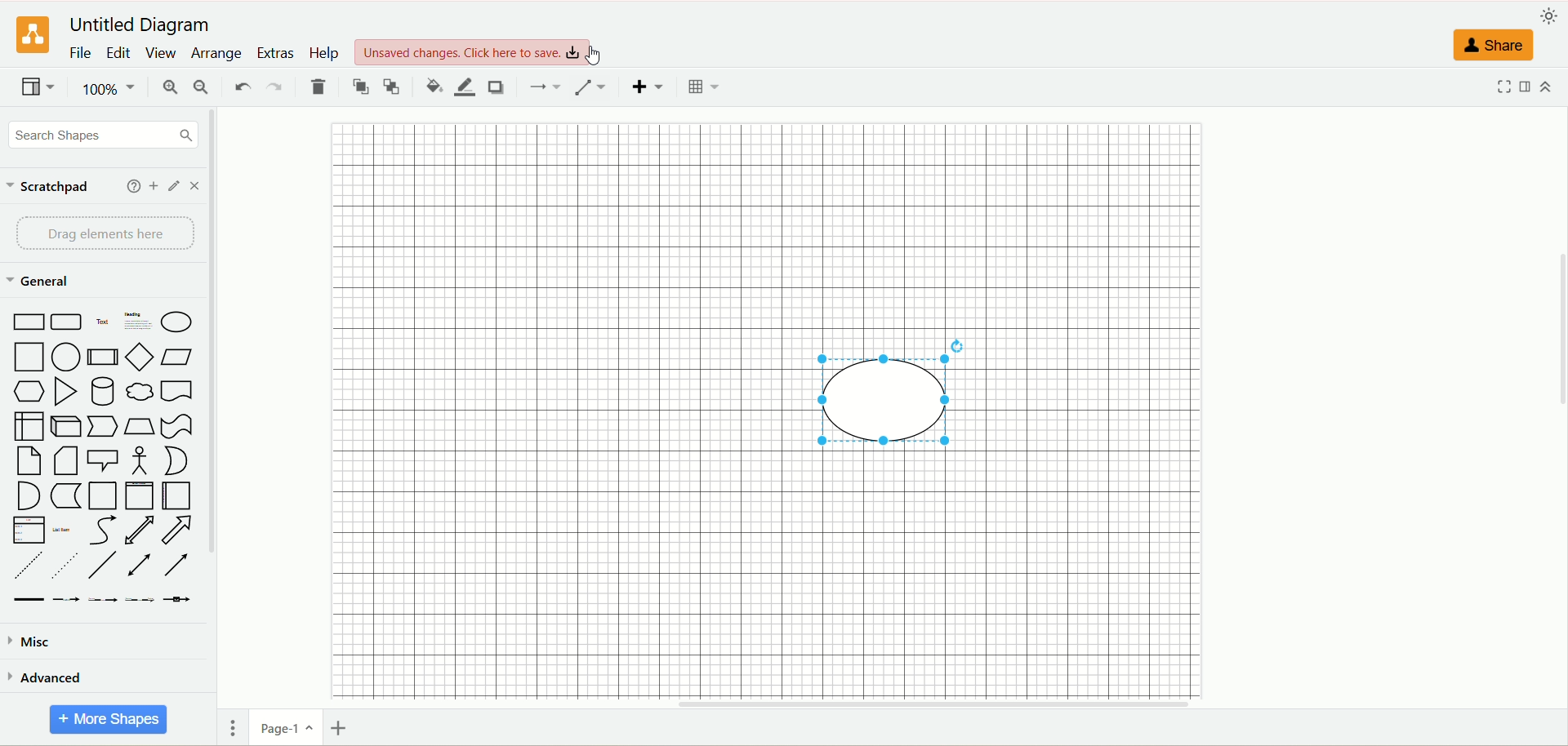 This screenshot has height=746, width=1568. Describe the element at coordinates (195, 185) in the screenshot. I see `close` at that location.